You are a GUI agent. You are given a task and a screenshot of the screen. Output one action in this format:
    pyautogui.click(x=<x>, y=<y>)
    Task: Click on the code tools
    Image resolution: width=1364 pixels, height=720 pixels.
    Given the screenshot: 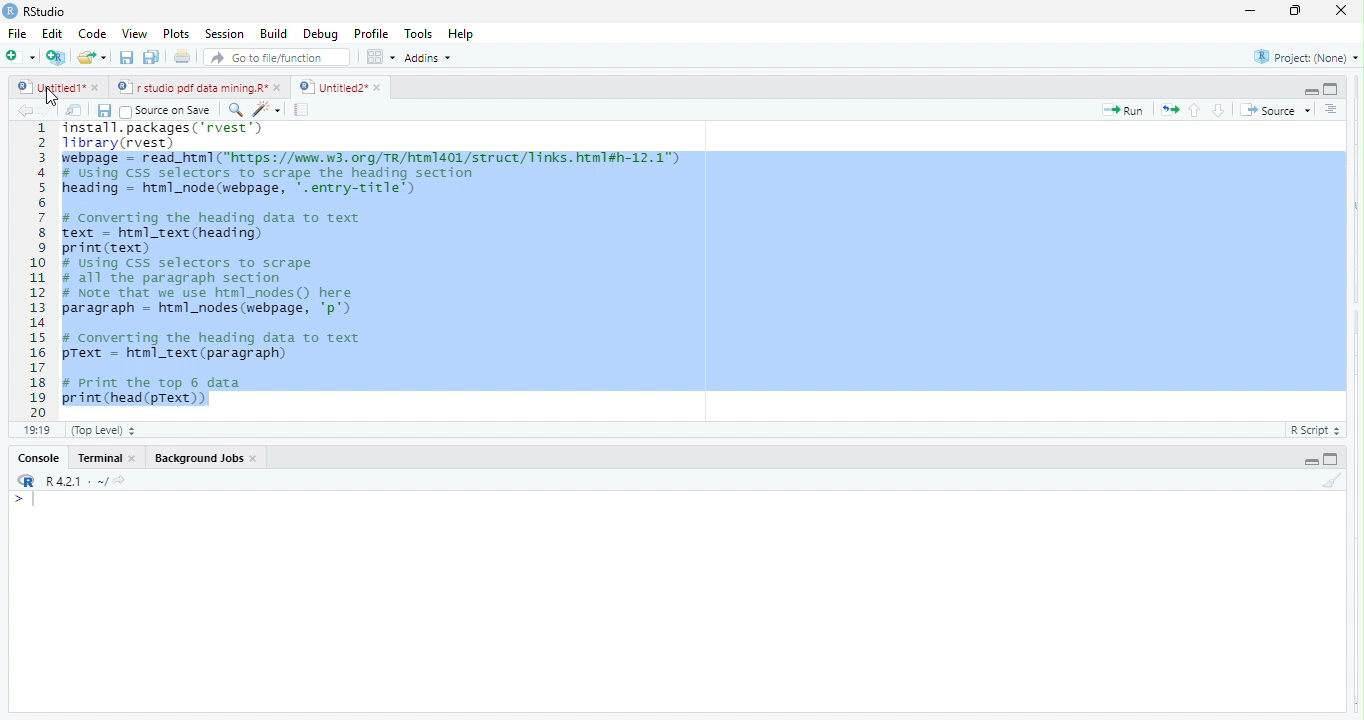 What is the action you would take?
    pyautogui.click(x=267, y=109)
    